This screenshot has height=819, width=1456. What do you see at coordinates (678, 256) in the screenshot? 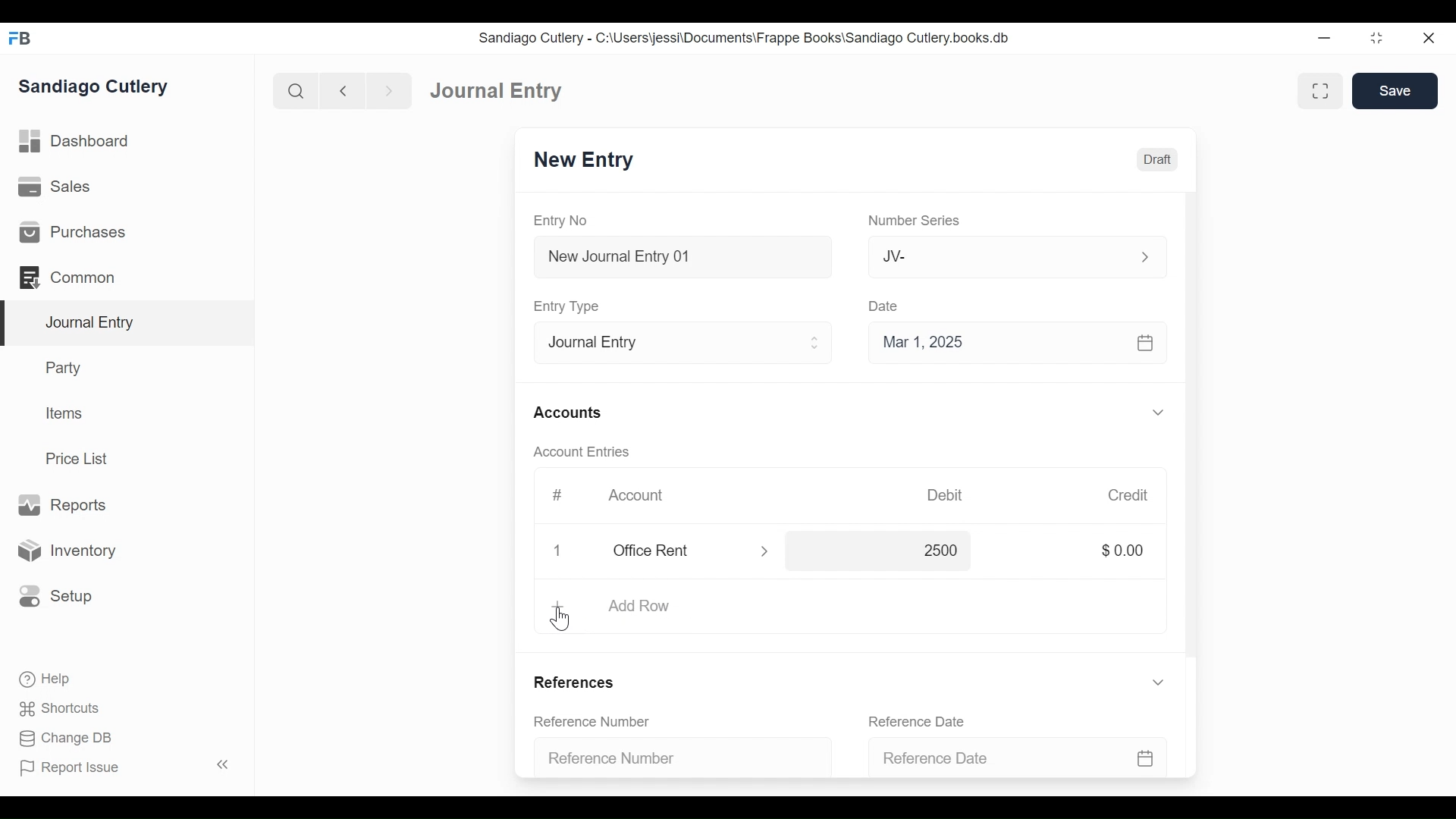
I see `New Journal Entry 01` at bounding box center [678, 256].